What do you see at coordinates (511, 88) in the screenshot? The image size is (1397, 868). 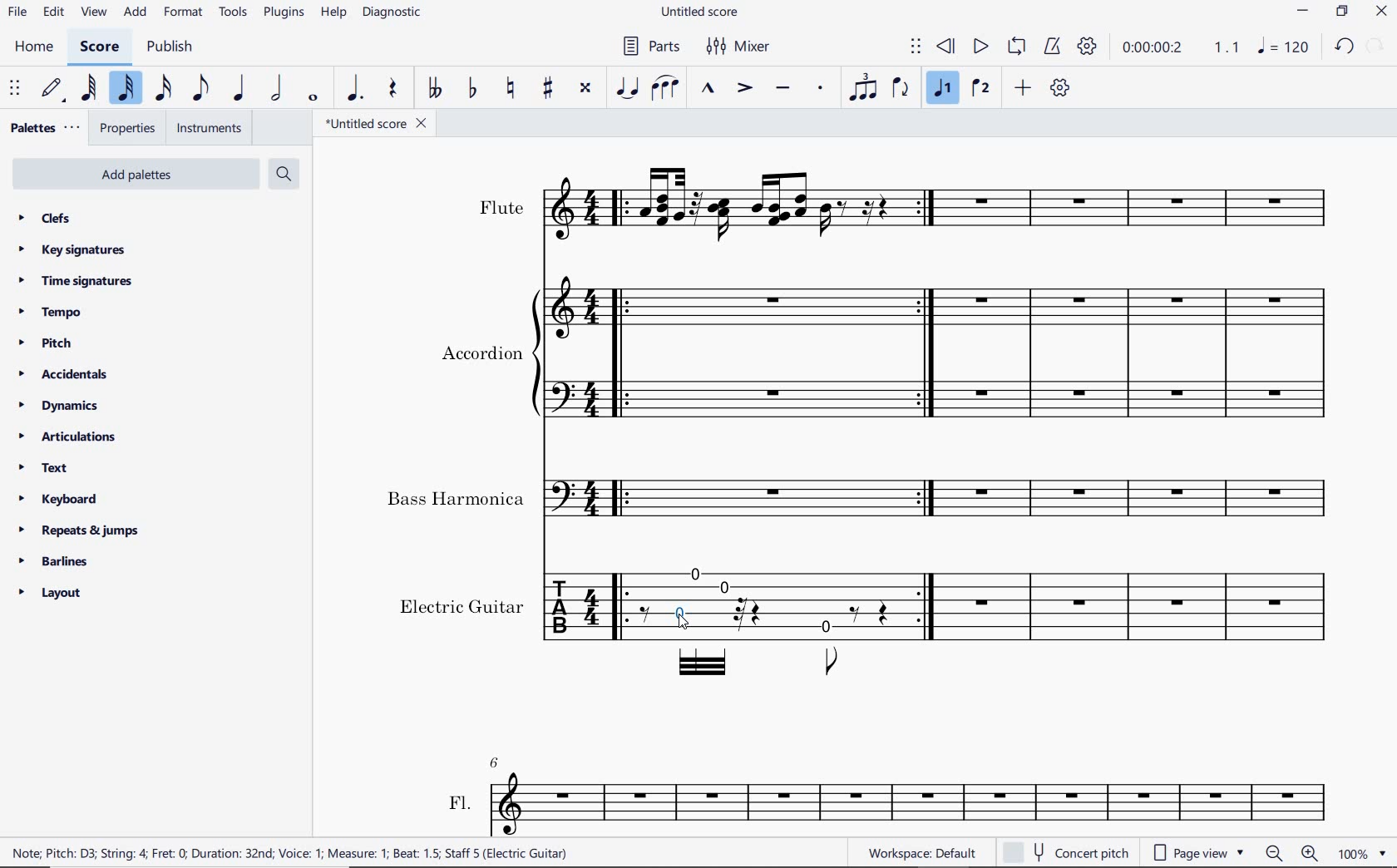 I see `toggle natural` at bounding box center [511, 88].